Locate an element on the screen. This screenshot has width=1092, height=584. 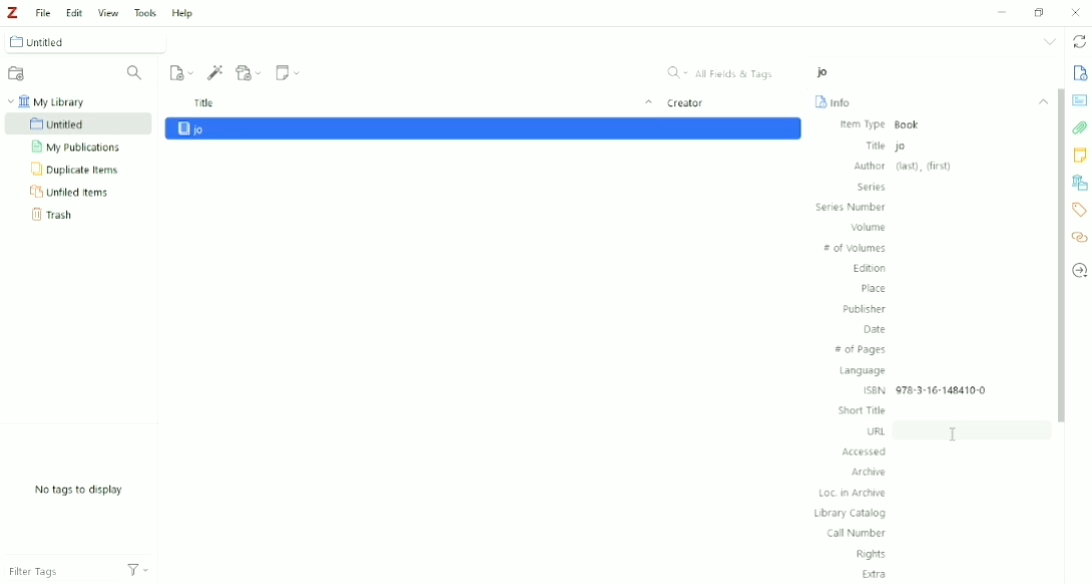
Vertical scrollbar is located at coordinates (1058, 255).